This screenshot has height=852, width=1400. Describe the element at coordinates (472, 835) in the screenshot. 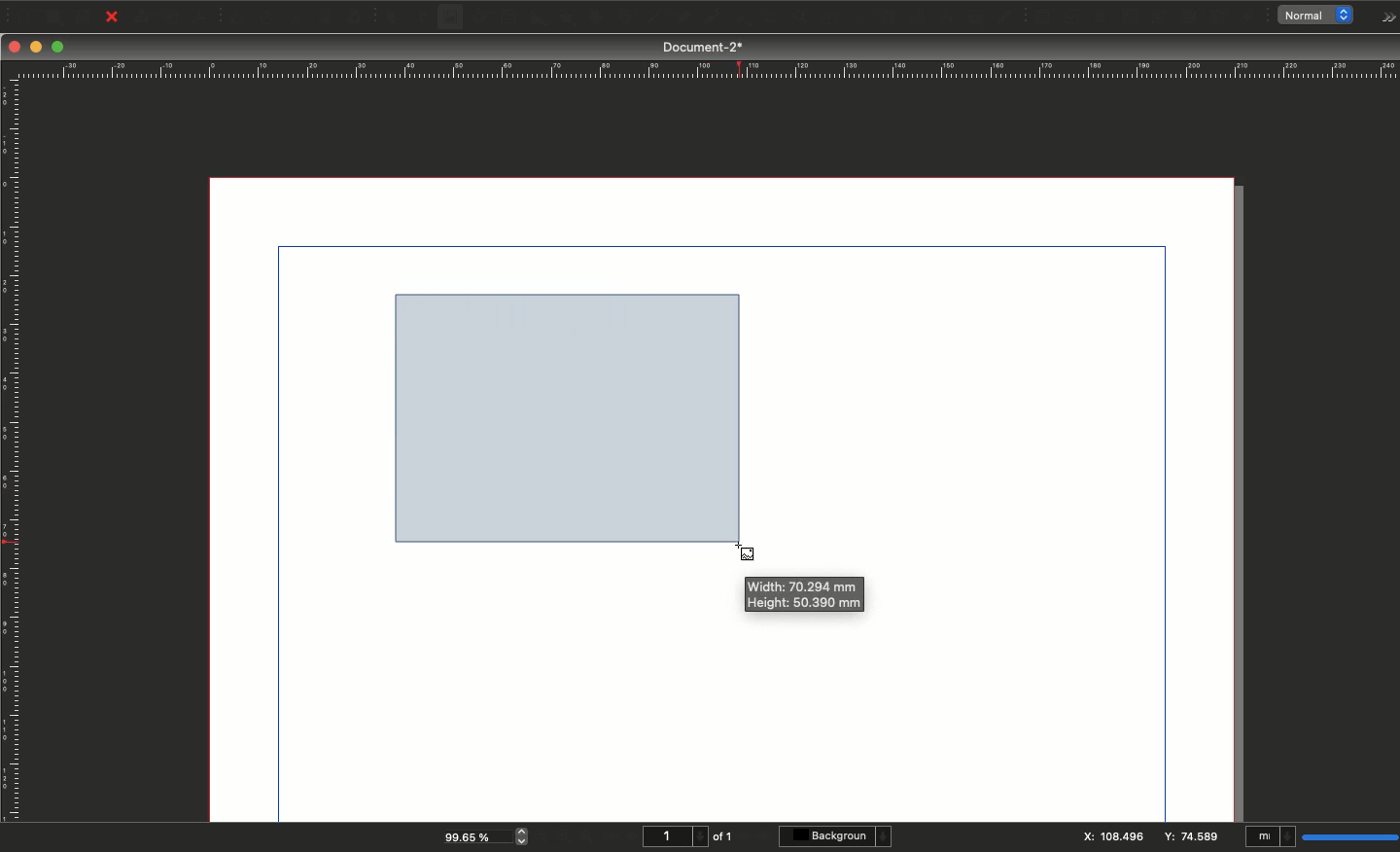

I see `99.65 %` at that location.